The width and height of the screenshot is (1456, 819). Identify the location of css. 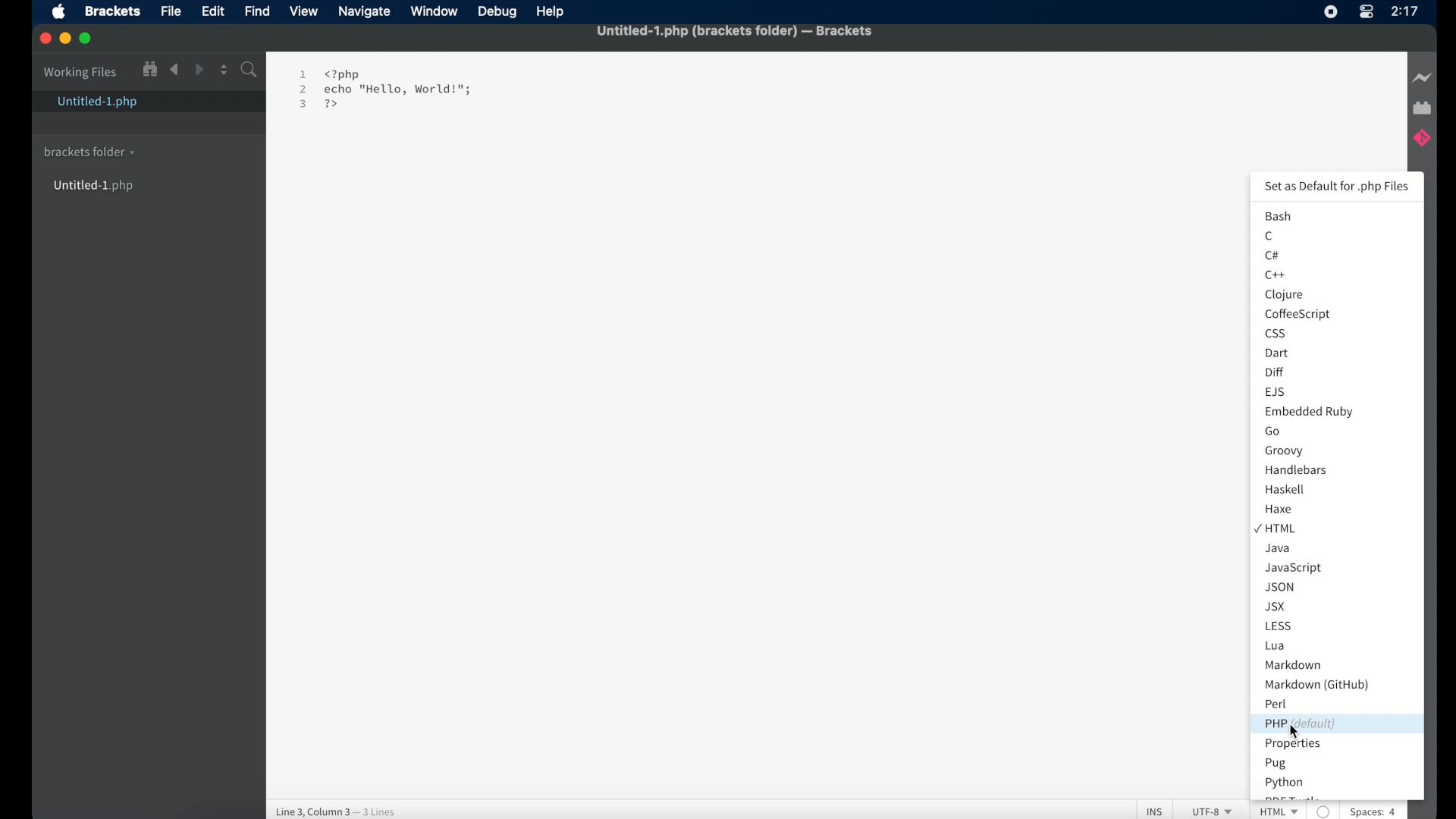
(1276, 333).